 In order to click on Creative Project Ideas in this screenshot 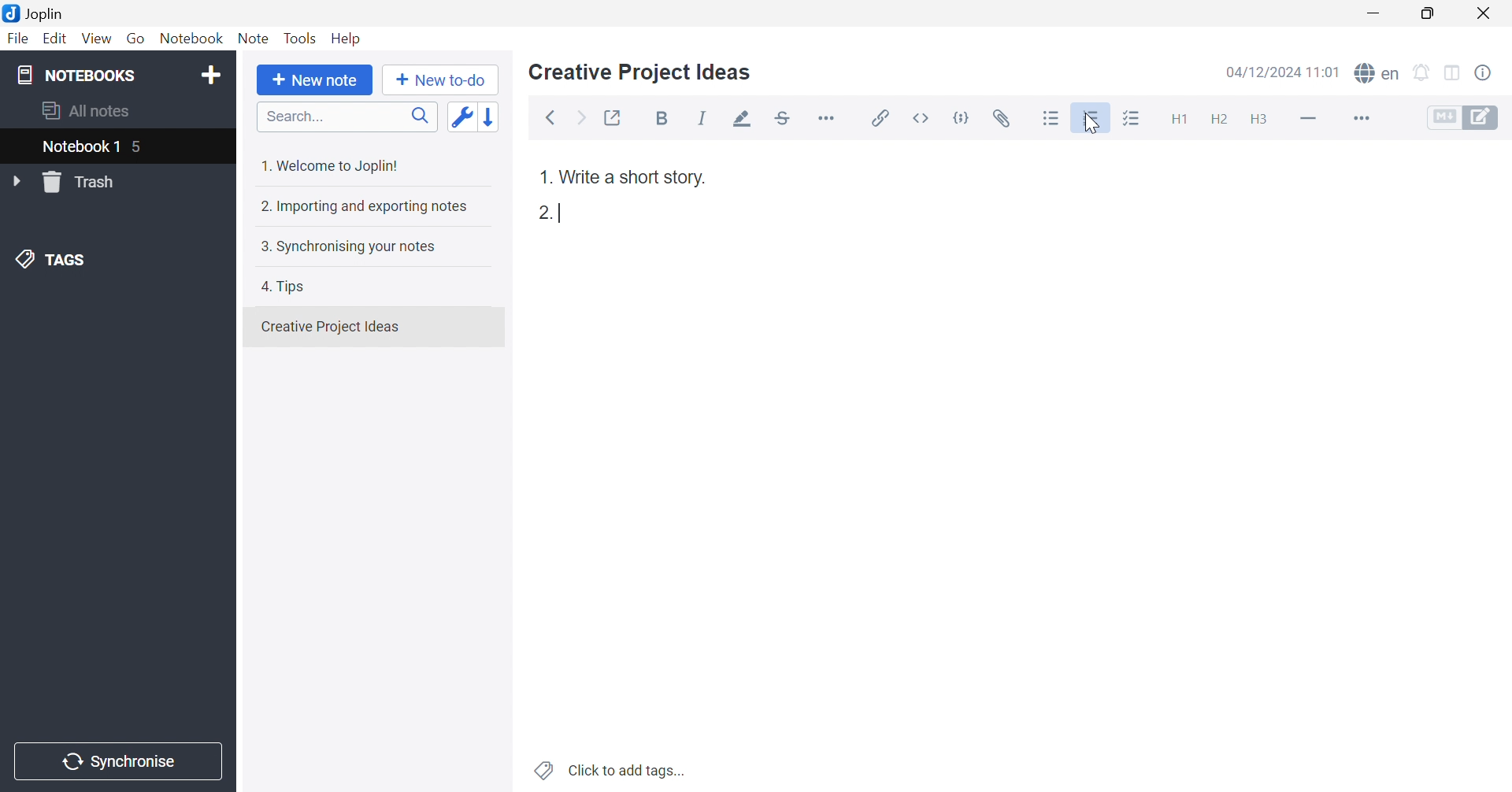, I will do `click(639, 72)`.